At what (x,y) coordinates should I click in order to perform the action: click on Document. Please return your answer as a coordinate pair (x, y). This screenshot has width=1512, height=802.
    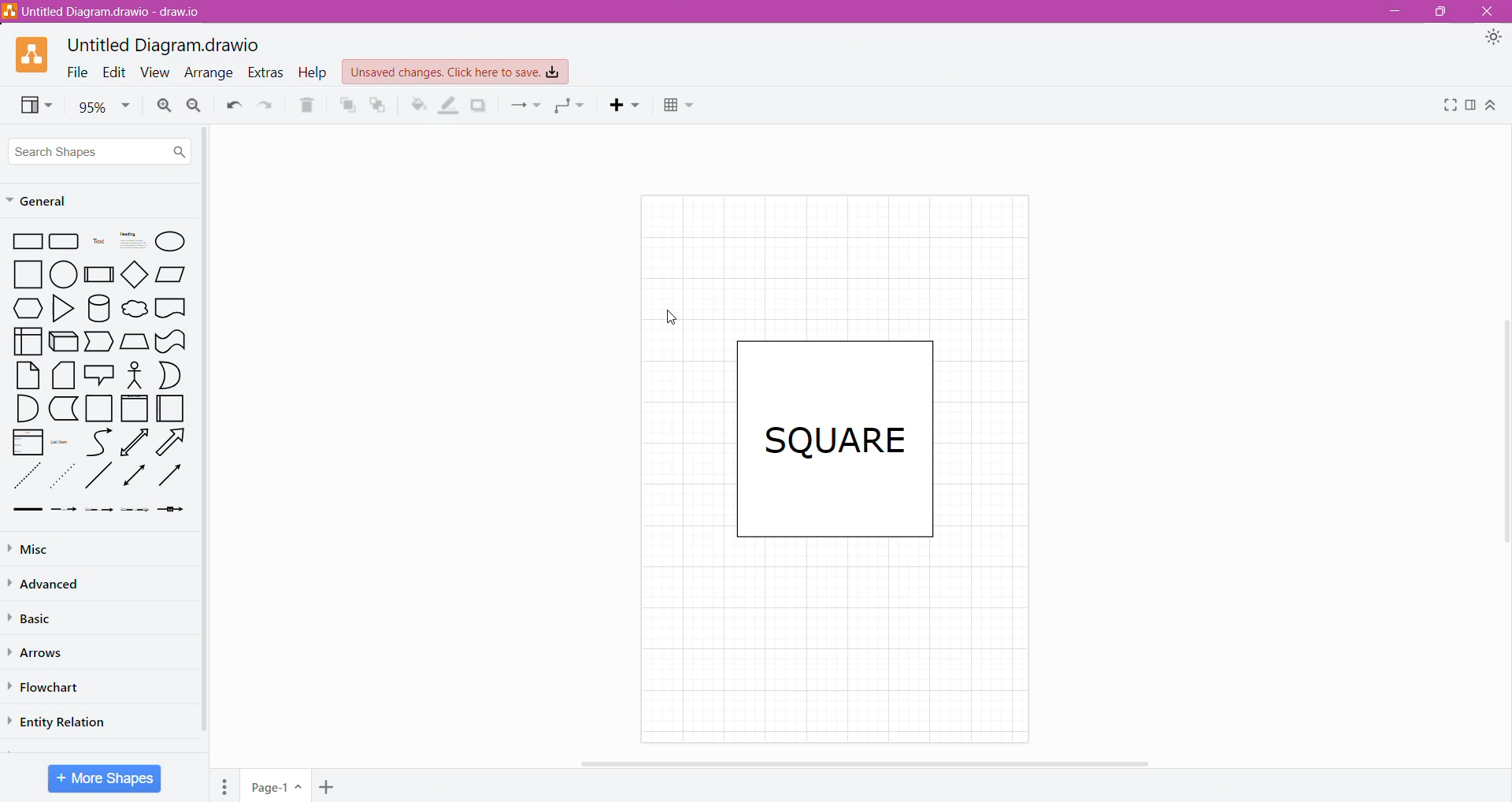
    Looking at the image, I should click on (171, 308).